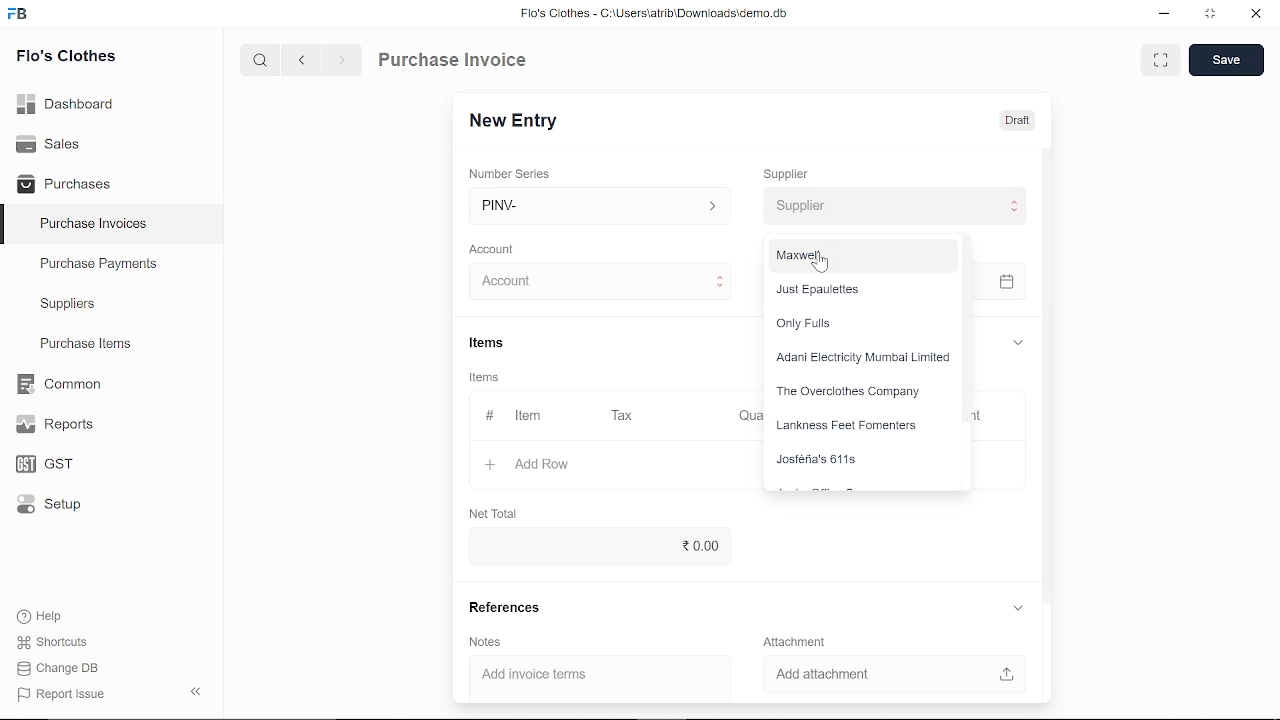 The height and width of the screenshot is (720, 1280). What do you see at coordinates (258, 61) in the screenshot?
I see `serach` at bounding box center [258, 61].